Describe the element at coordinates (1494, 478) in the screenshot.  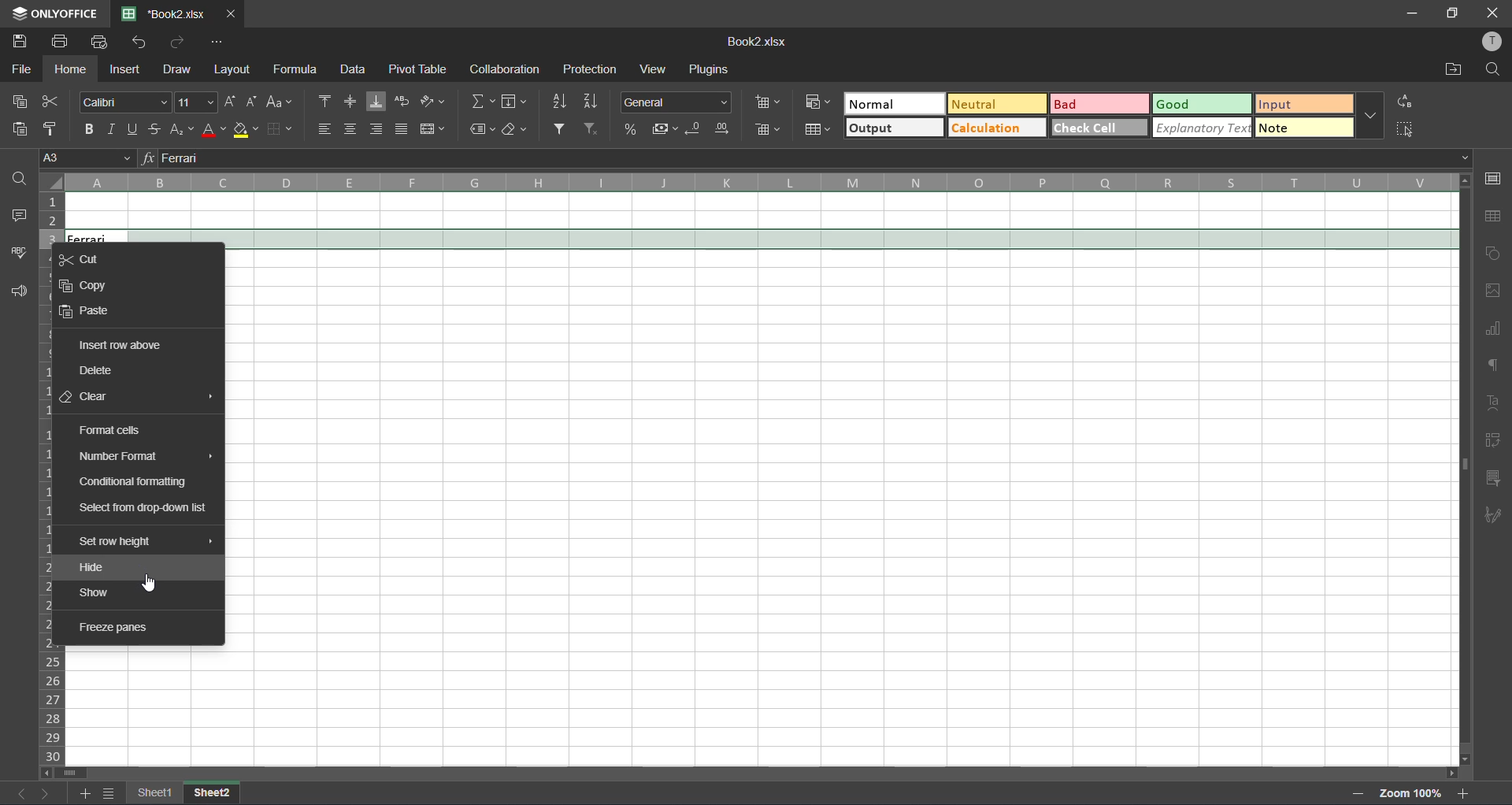
I see `slicer` at that location.